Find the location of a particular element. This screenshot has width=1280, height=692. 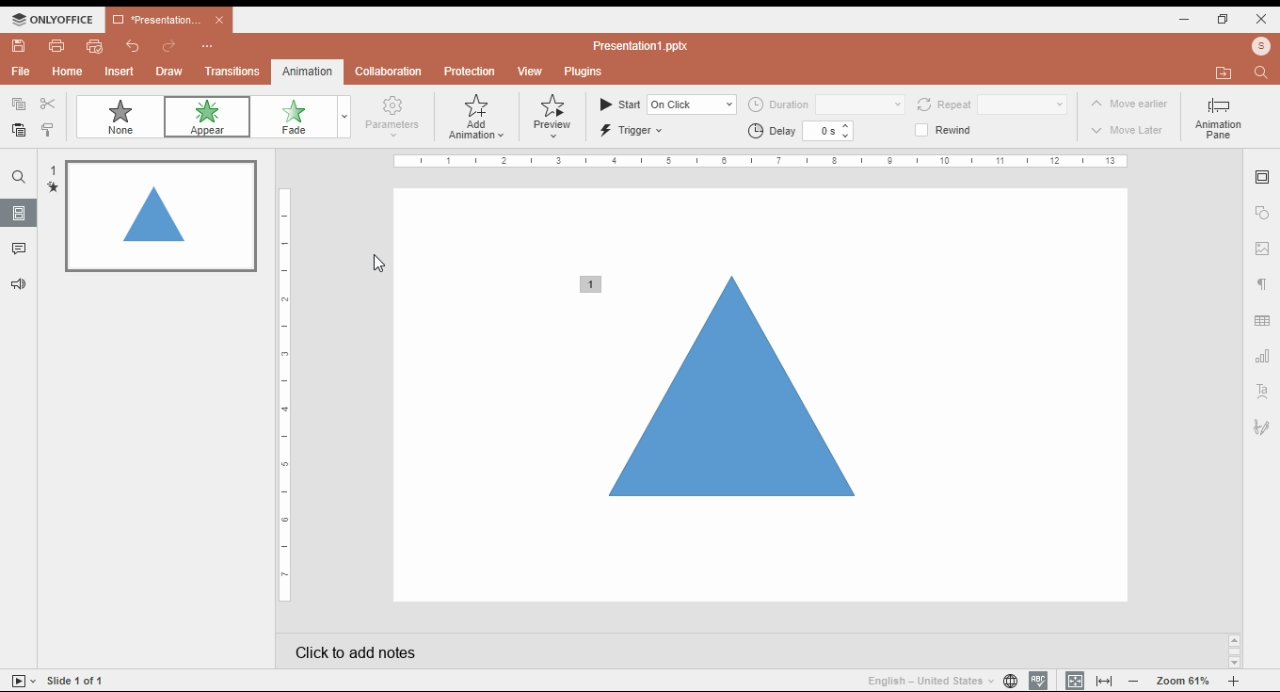

title is located at coordinates (641, 46).